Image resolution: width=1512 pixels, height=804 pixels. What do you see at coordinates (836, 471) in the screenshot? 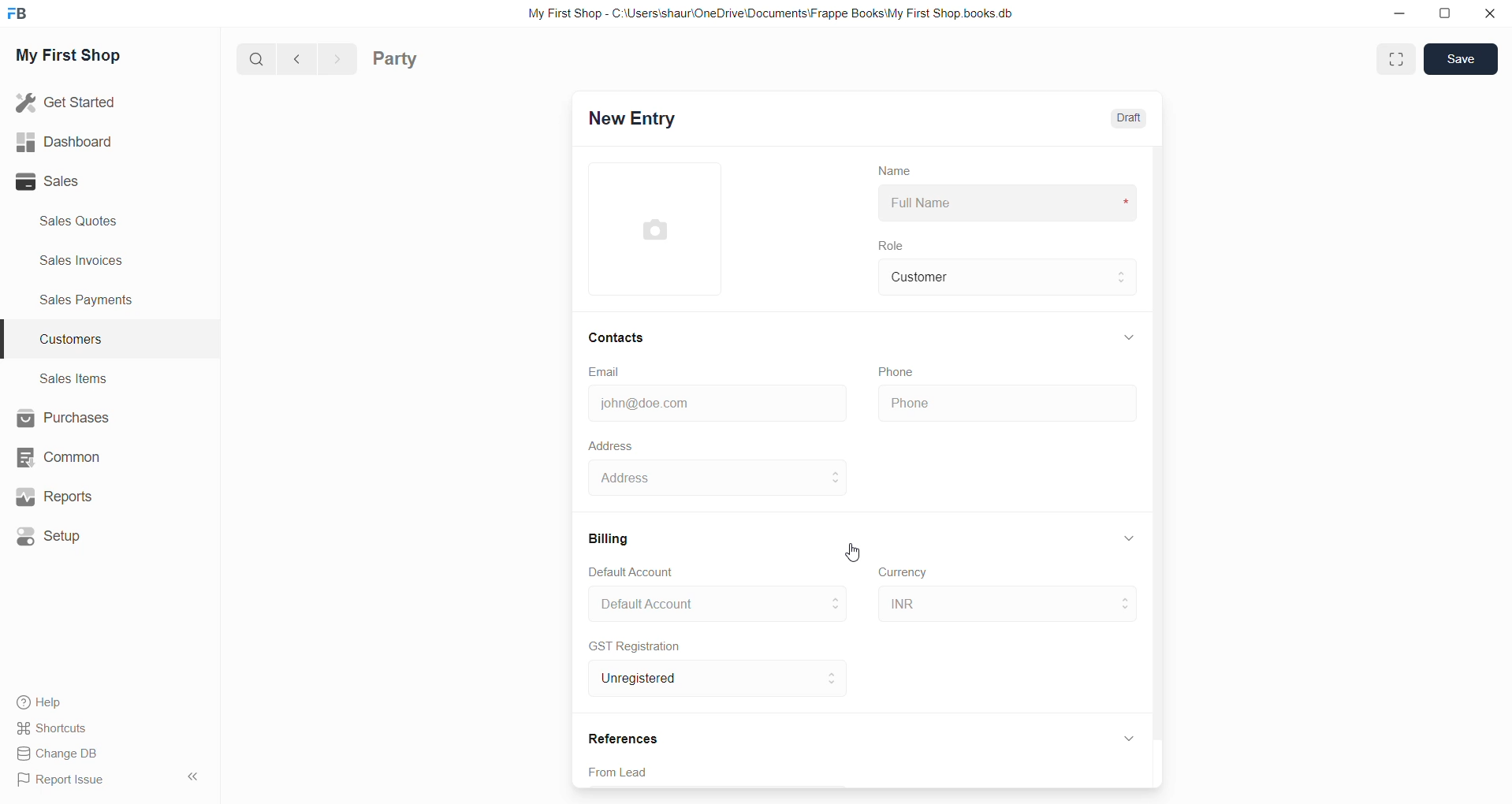
I see `move to above address` at bounding box center [836, 471].